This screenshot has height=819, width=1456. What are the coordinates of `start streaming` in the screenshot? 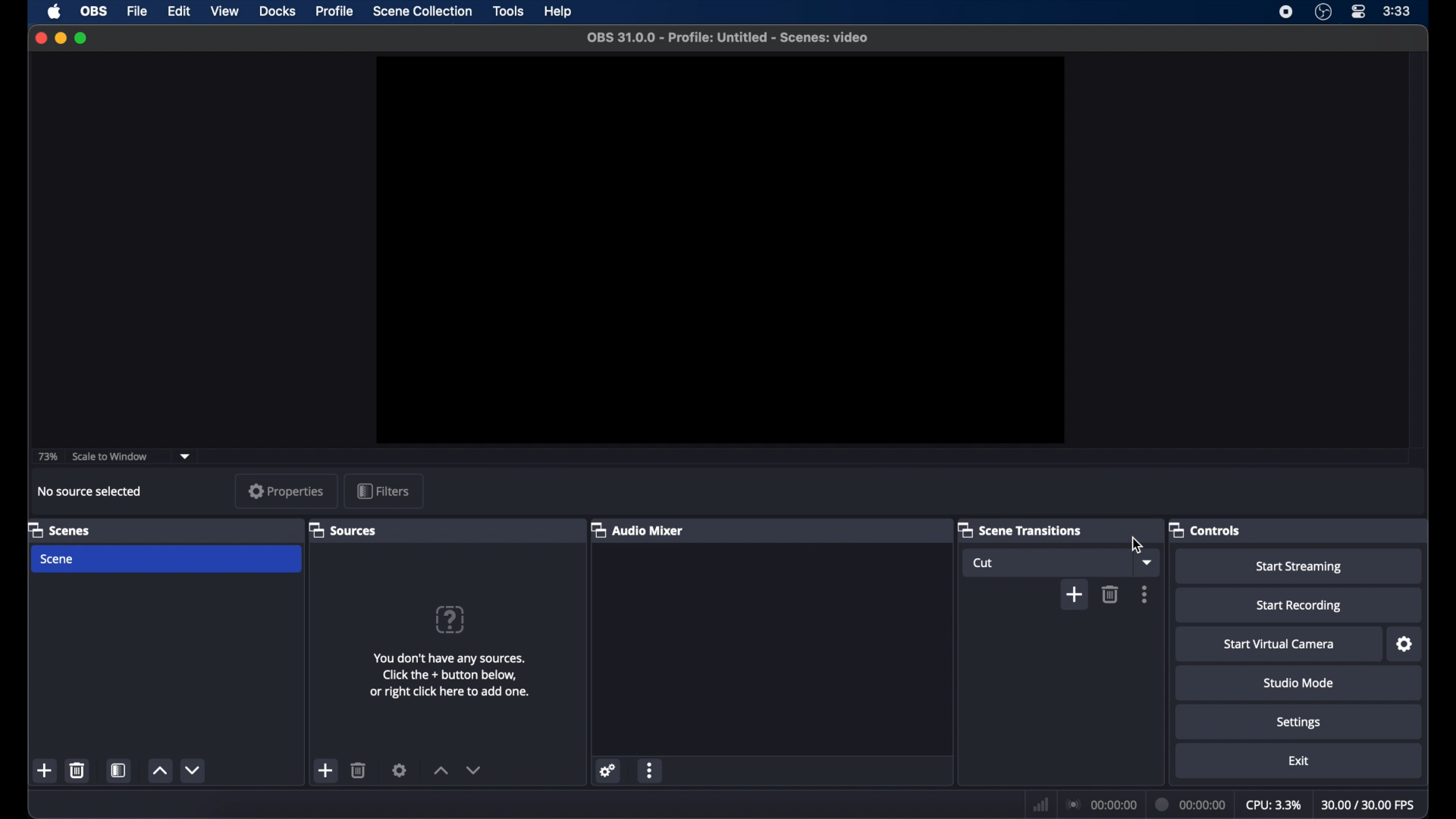 It's located at (1301, 567).